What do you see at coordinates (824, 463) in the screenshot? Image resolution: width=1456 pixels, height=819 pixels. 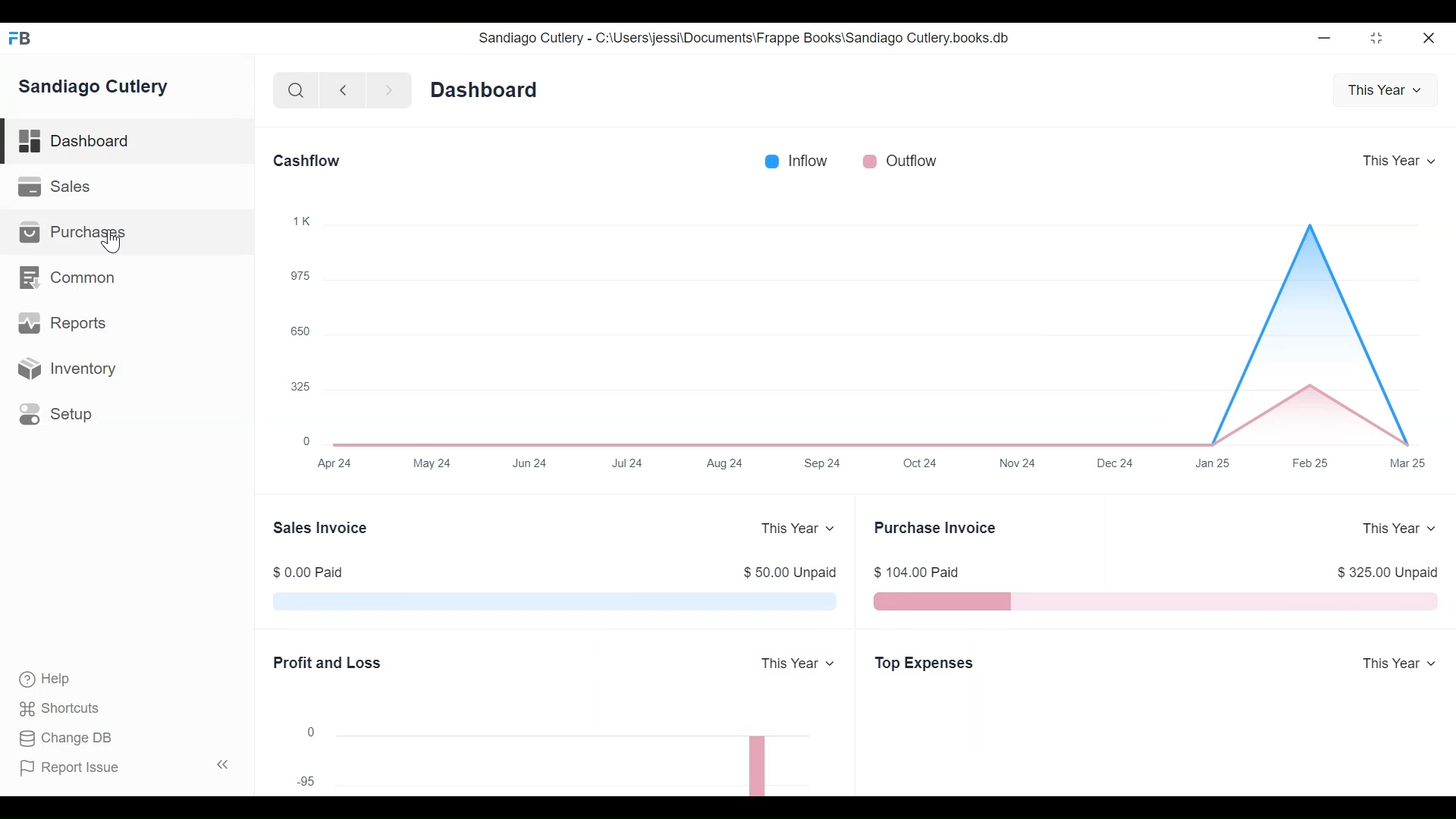 I see `Sep24` at bounding box center [824, 463].